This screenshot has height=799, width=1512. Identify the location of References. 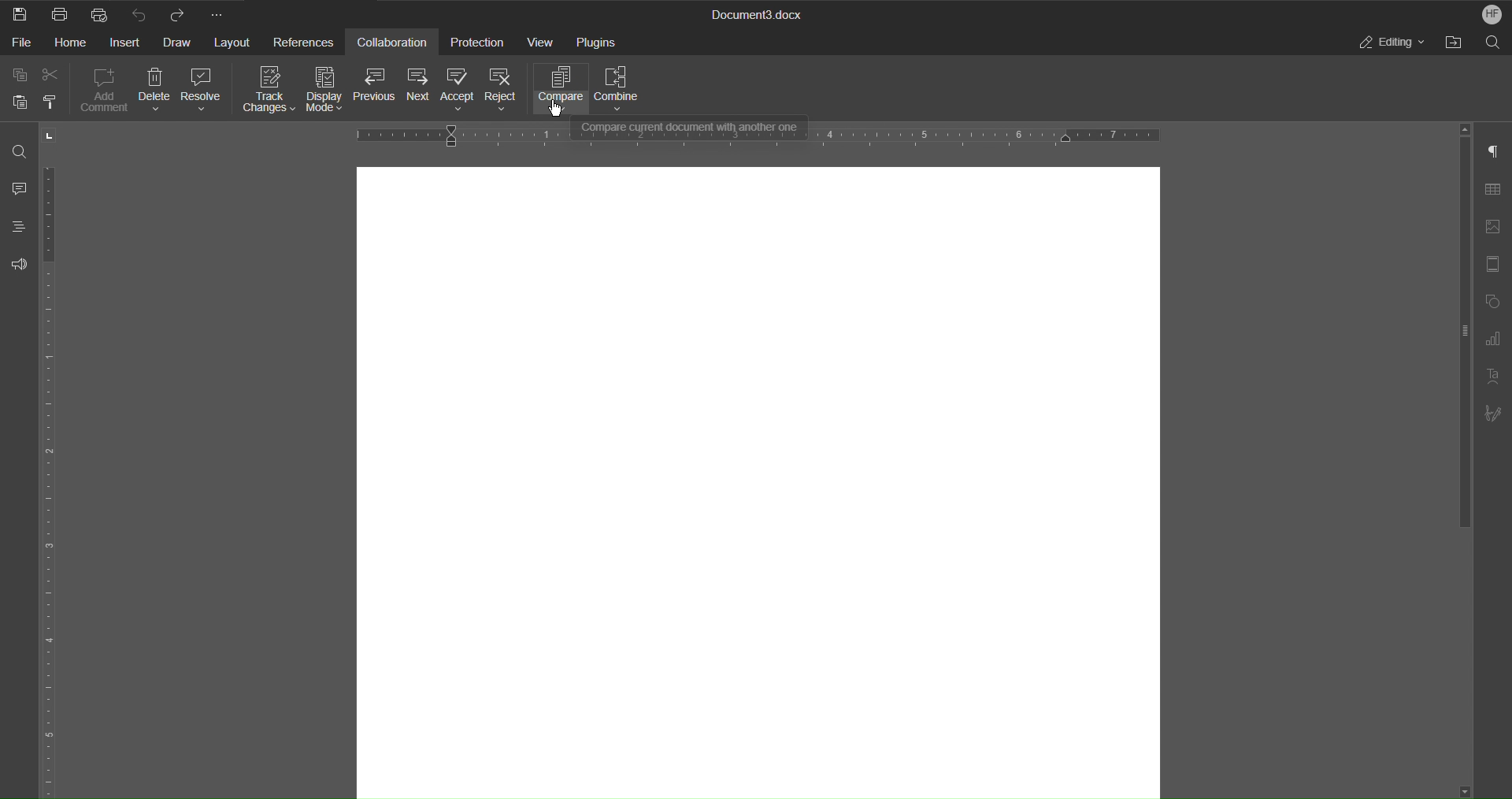
(306, 42).